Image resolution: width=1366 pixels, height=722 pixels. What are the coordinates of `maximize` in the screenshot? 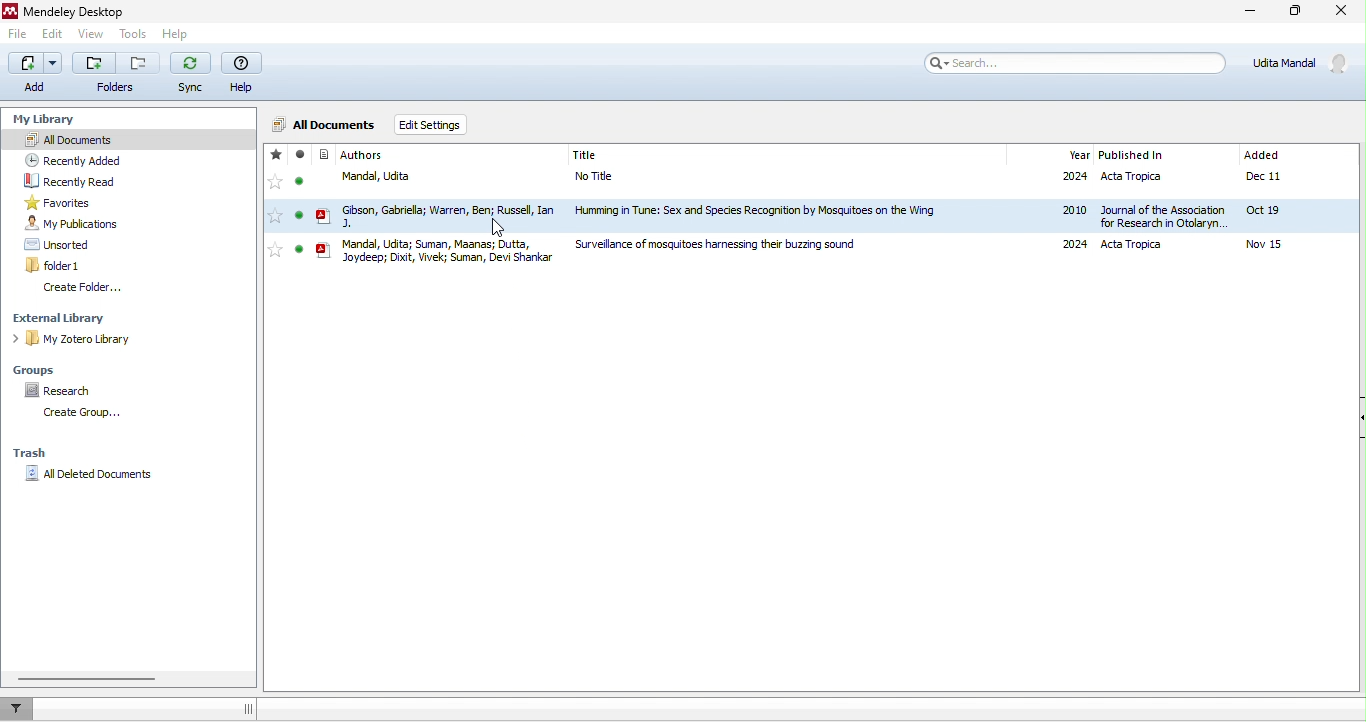 It's located at (1294, 12).